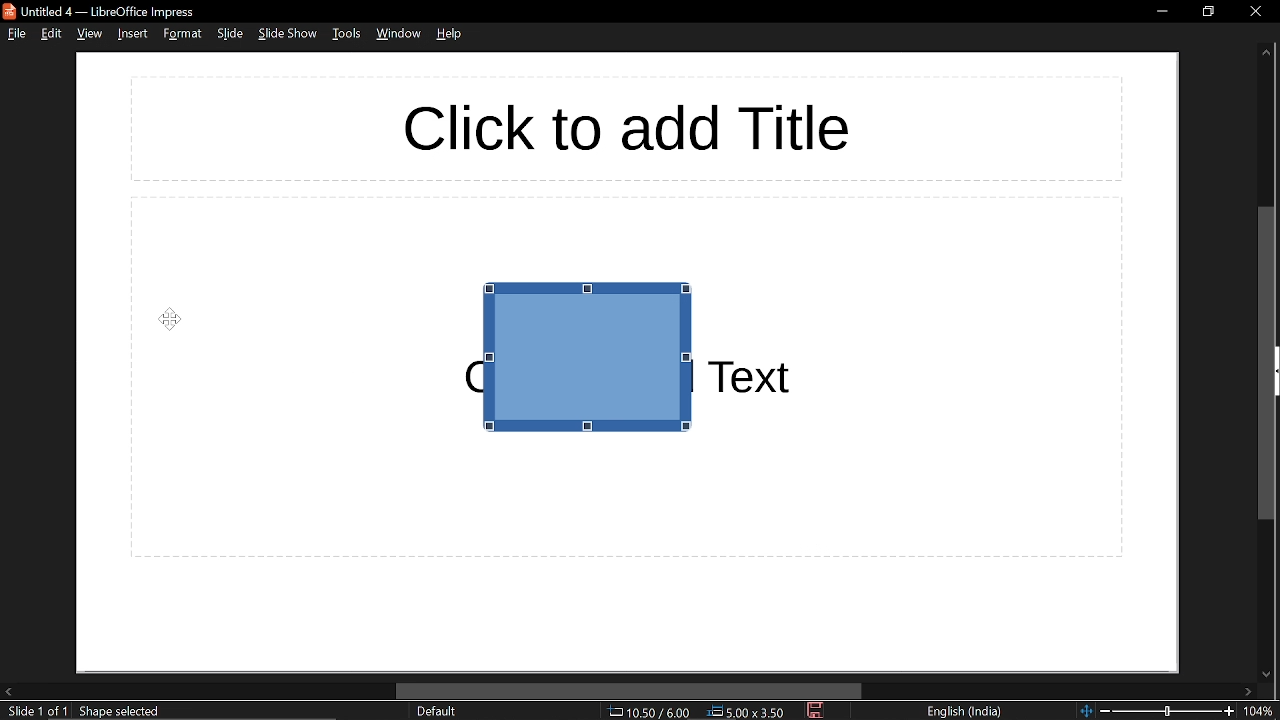 The image size is (1280, 720). Describe the element at coordinates (131, 34) in the screenshot. I see `insert` at that location.